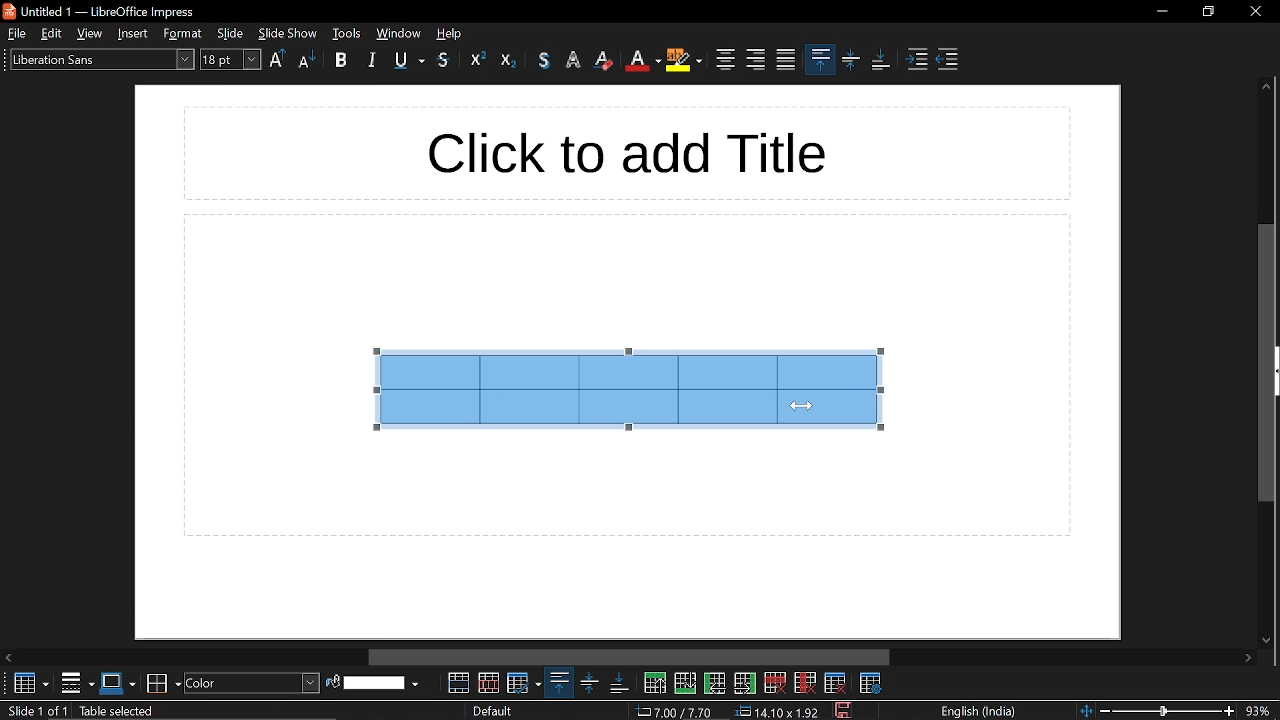 The height and width of the screenshot is (720, 1280). What do you see at coordinates (181, 711) in the screenshot?
I see `table selected` at bounding box center [181, 711].